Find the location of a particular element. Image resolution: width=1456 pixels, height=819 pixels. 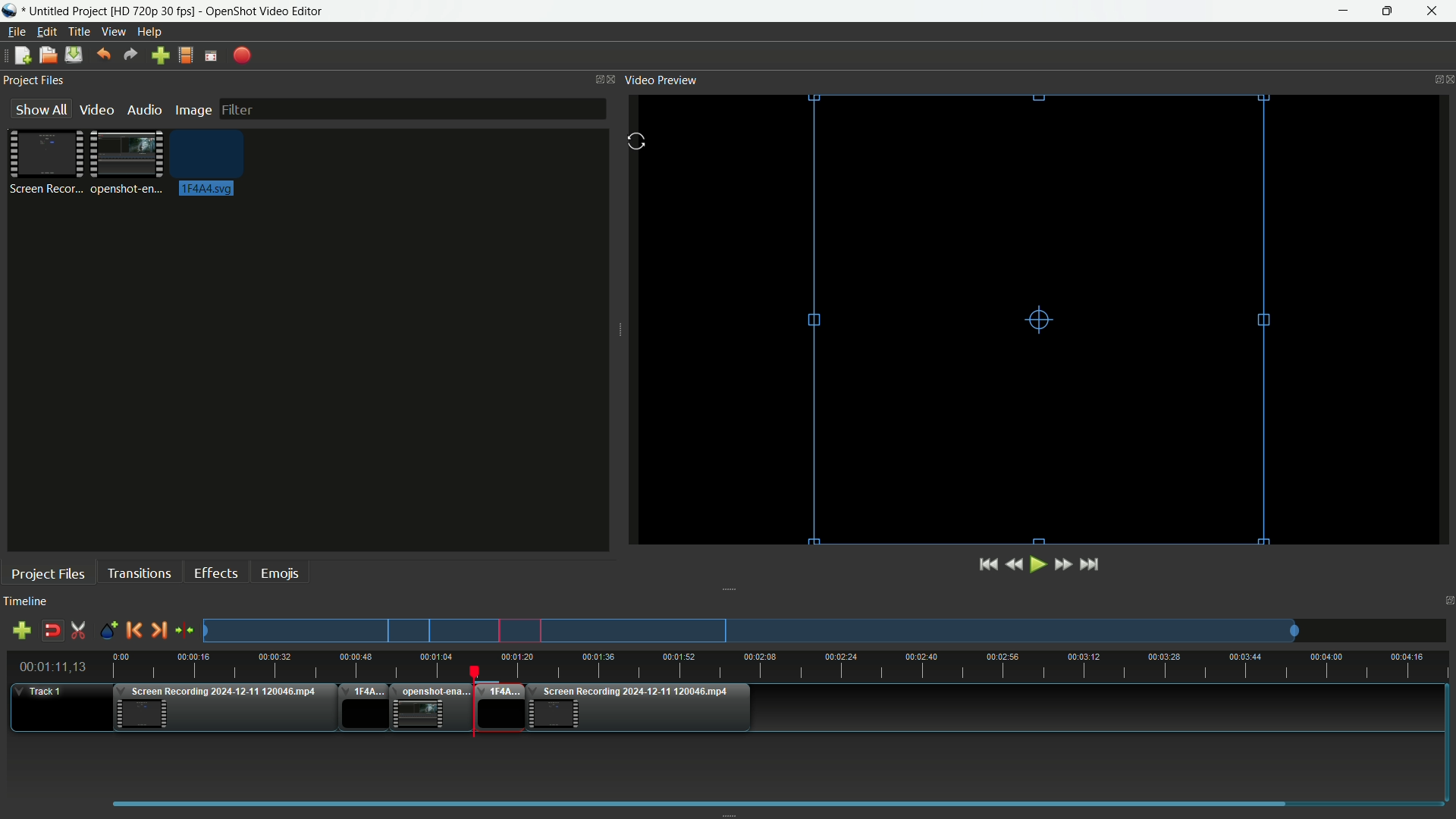

Redo is located at coordinates (130, 55).